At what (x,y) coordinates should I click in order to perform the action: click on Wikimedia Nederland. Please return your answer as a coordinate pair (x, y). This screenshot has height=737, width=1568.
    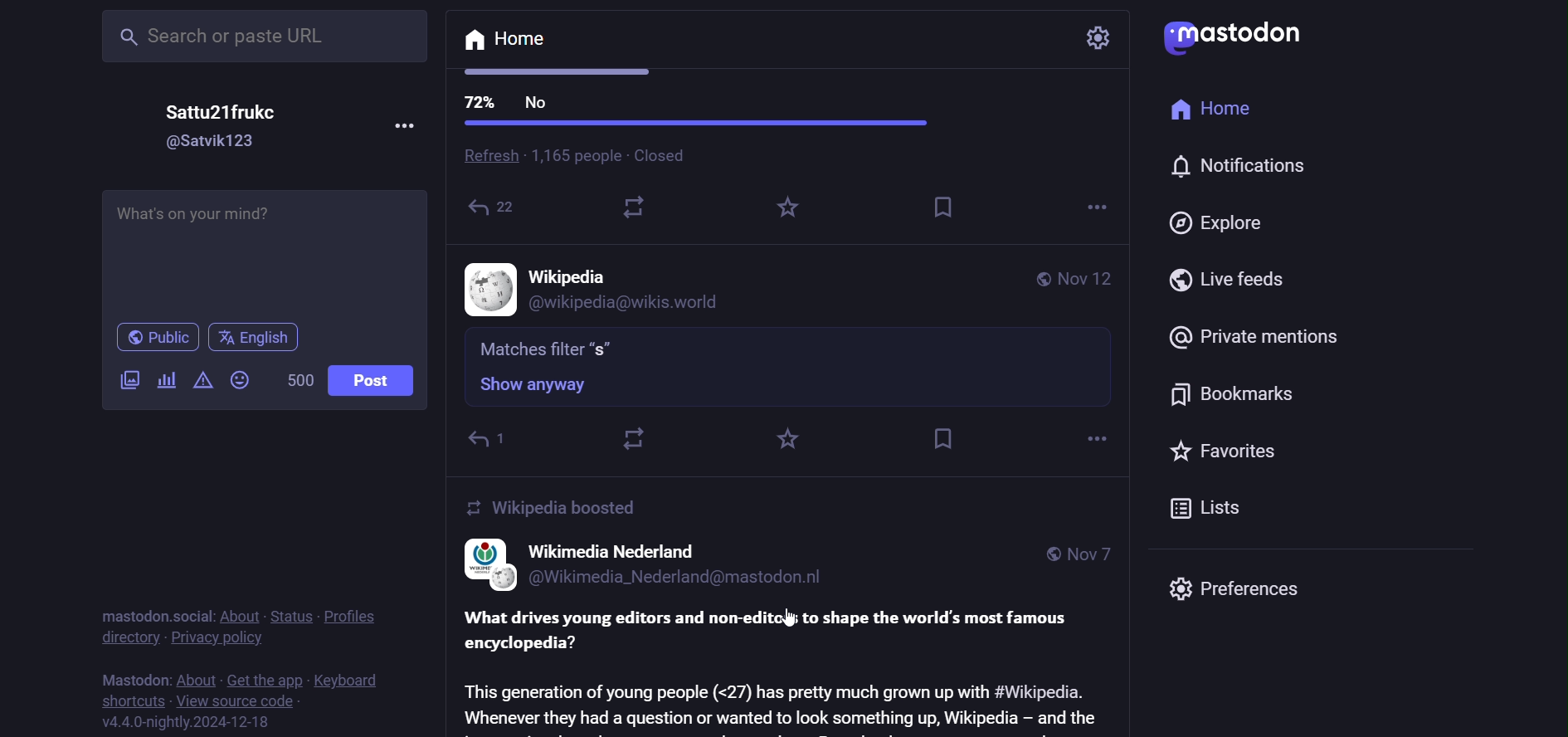
    Looking at the image, I should click on (615, 550).